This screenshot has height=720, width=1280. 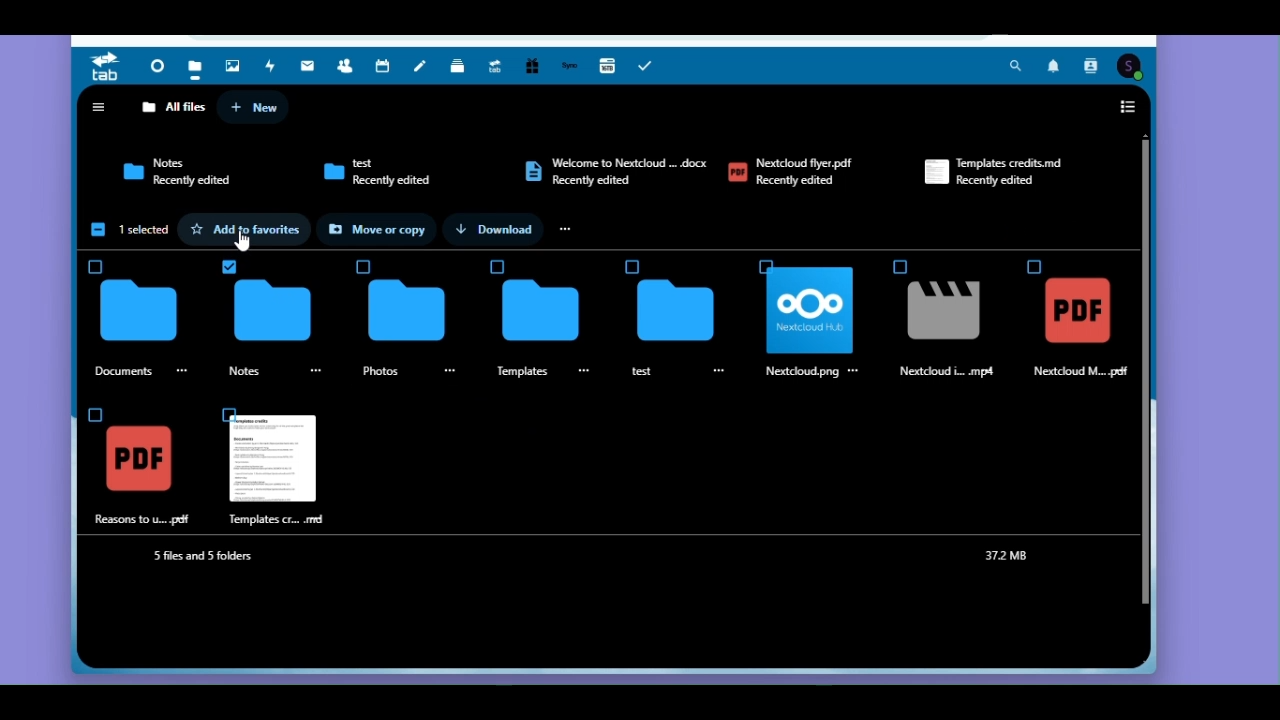 What do you see at coordinates (810, 161) in the screenshot?
I see `Netcloud.flyer.pdf` at bounding box center [810, 161].